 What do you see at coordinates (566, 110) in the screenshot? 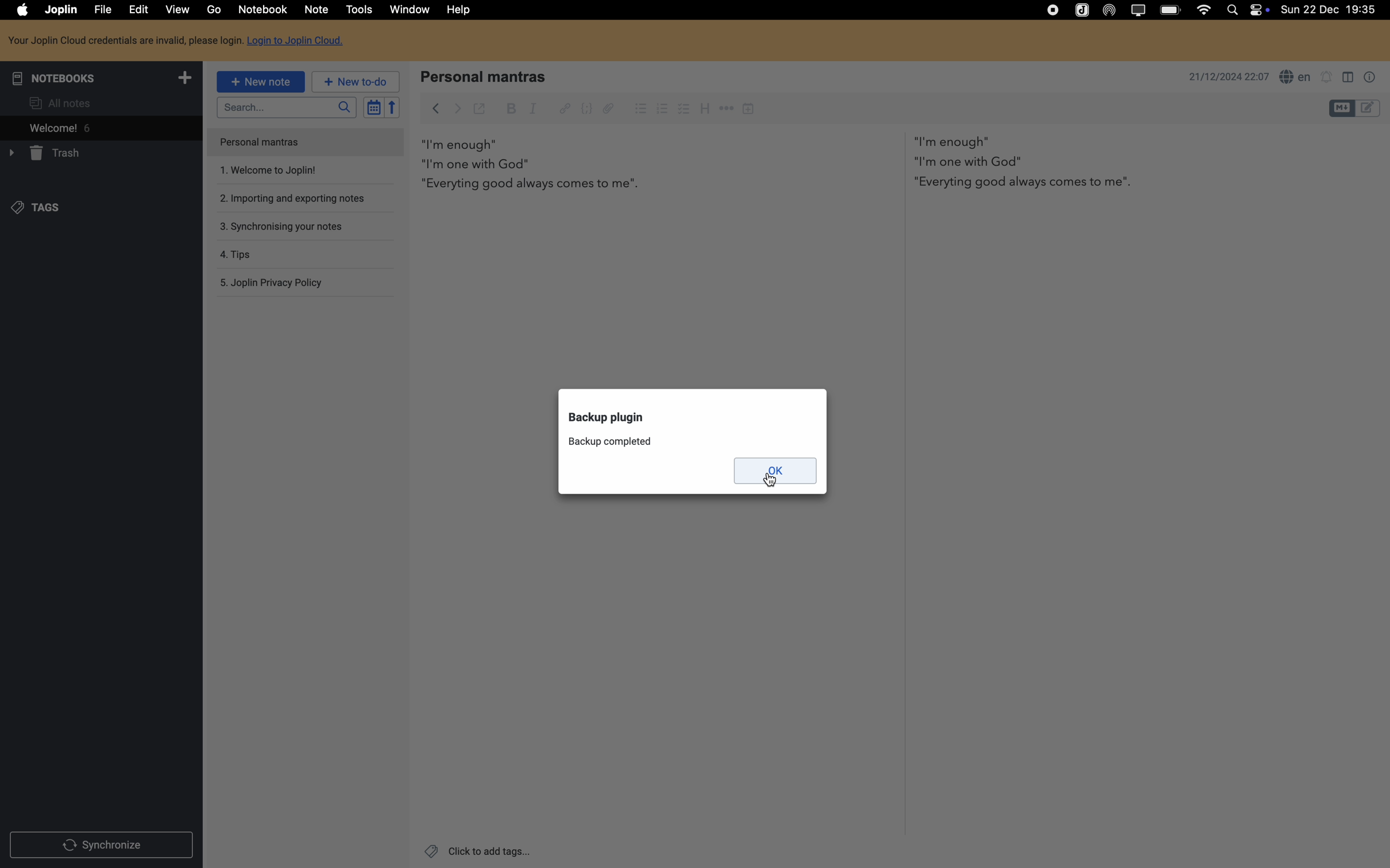
I see `hyperlink` at bounding box center [566, 110].